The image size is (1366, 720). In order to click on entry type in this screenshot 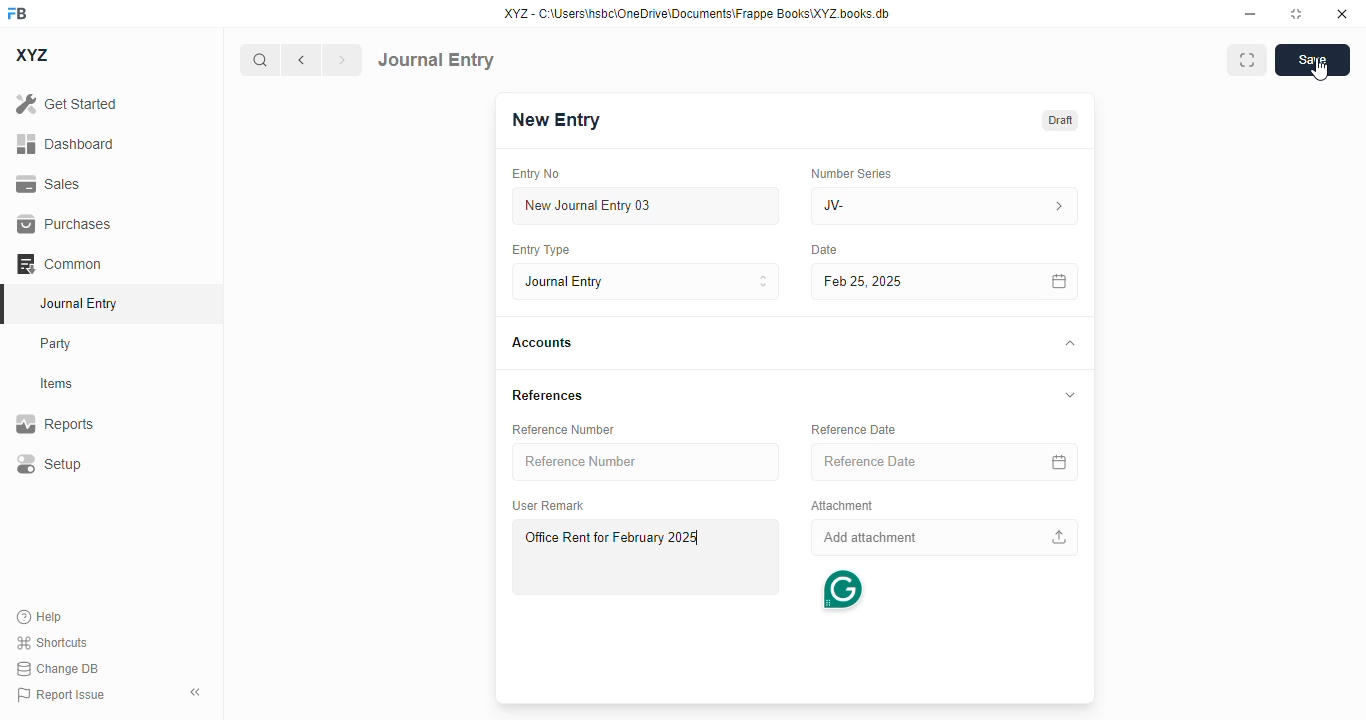, I will do `click(643, 281)`.